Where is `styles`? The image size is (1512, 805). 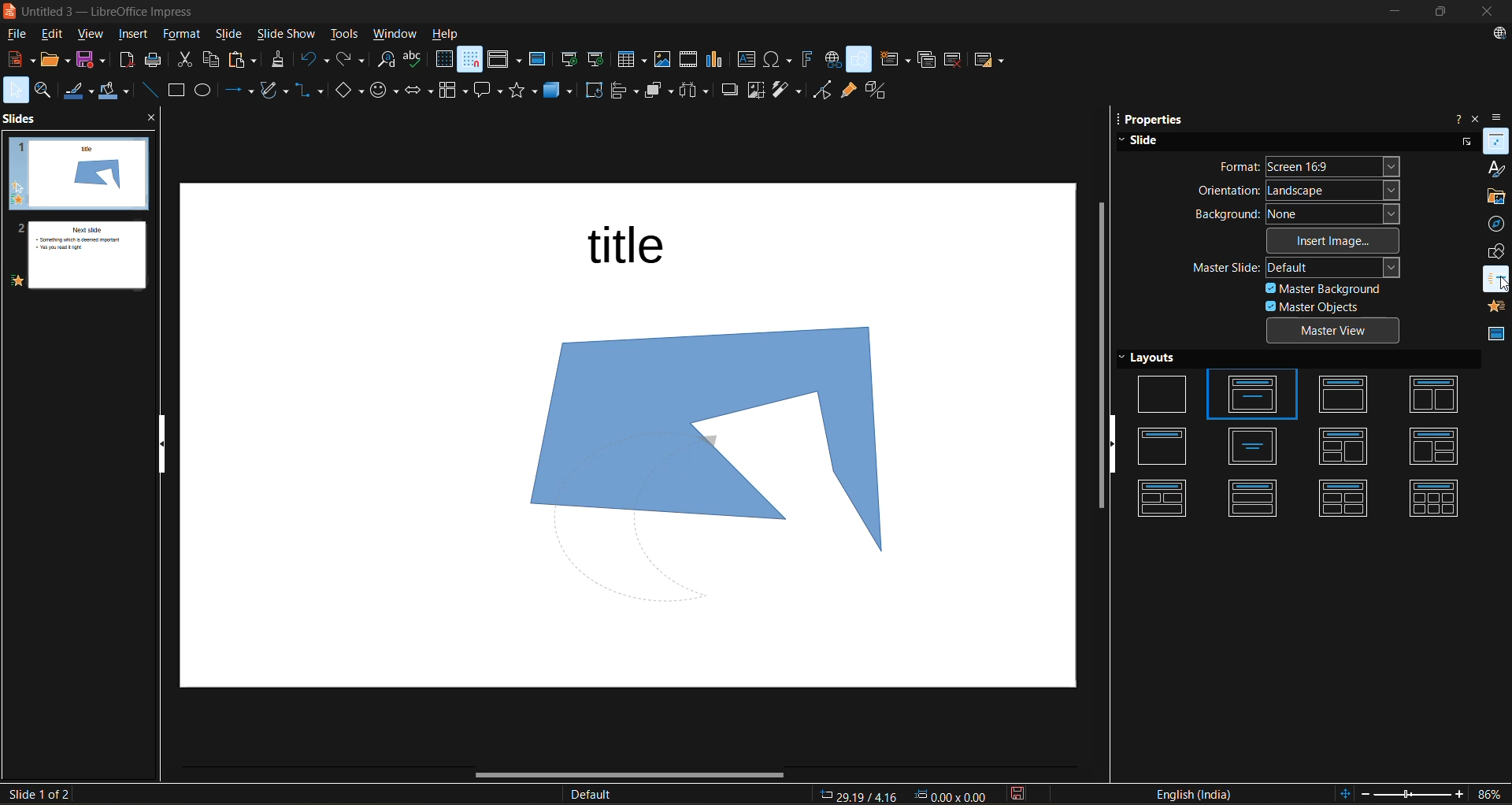
styles is located at coordinates (1495, 169).